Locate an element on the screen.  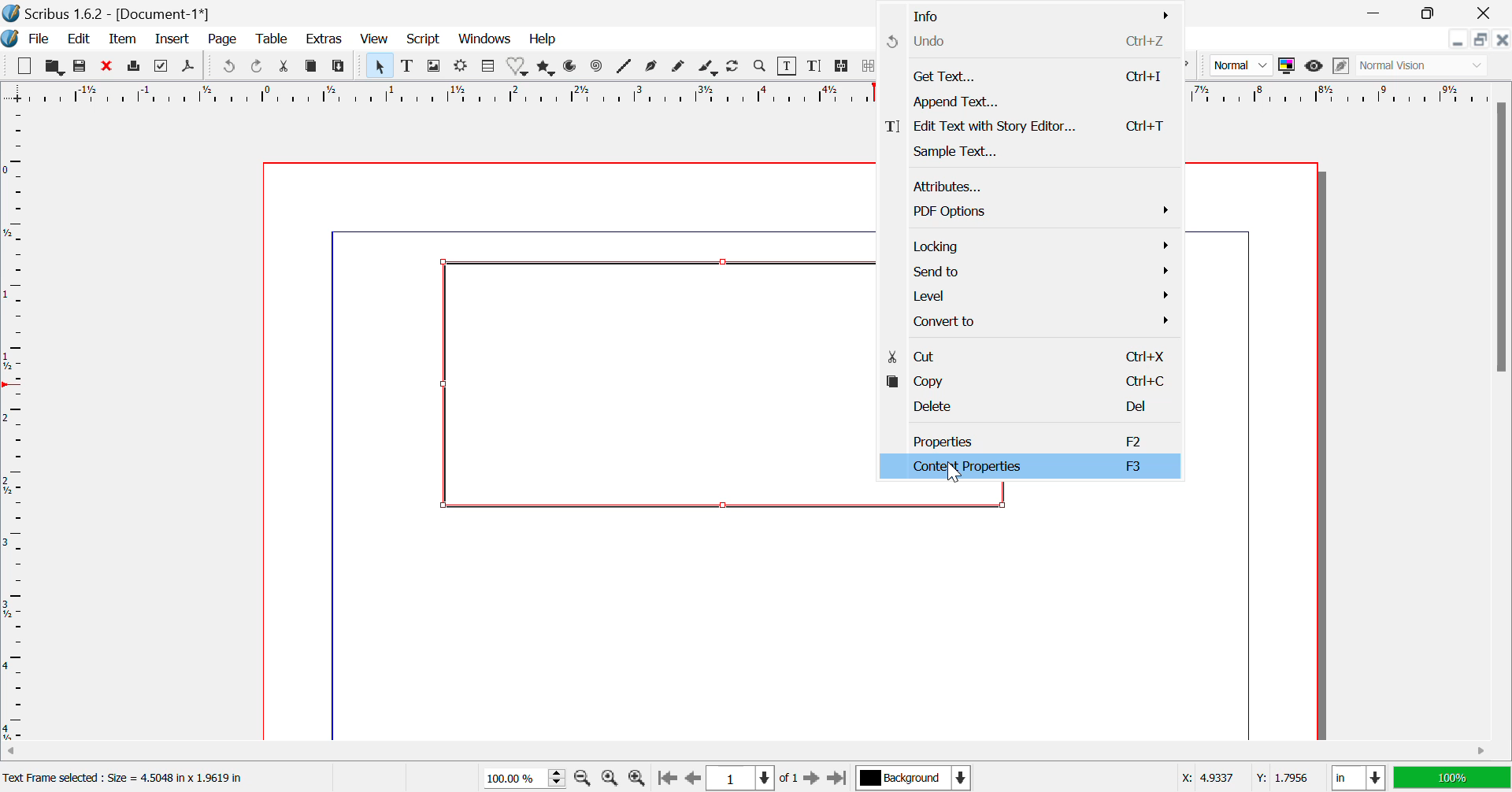
Arcs is located at coordinates (573, 68).